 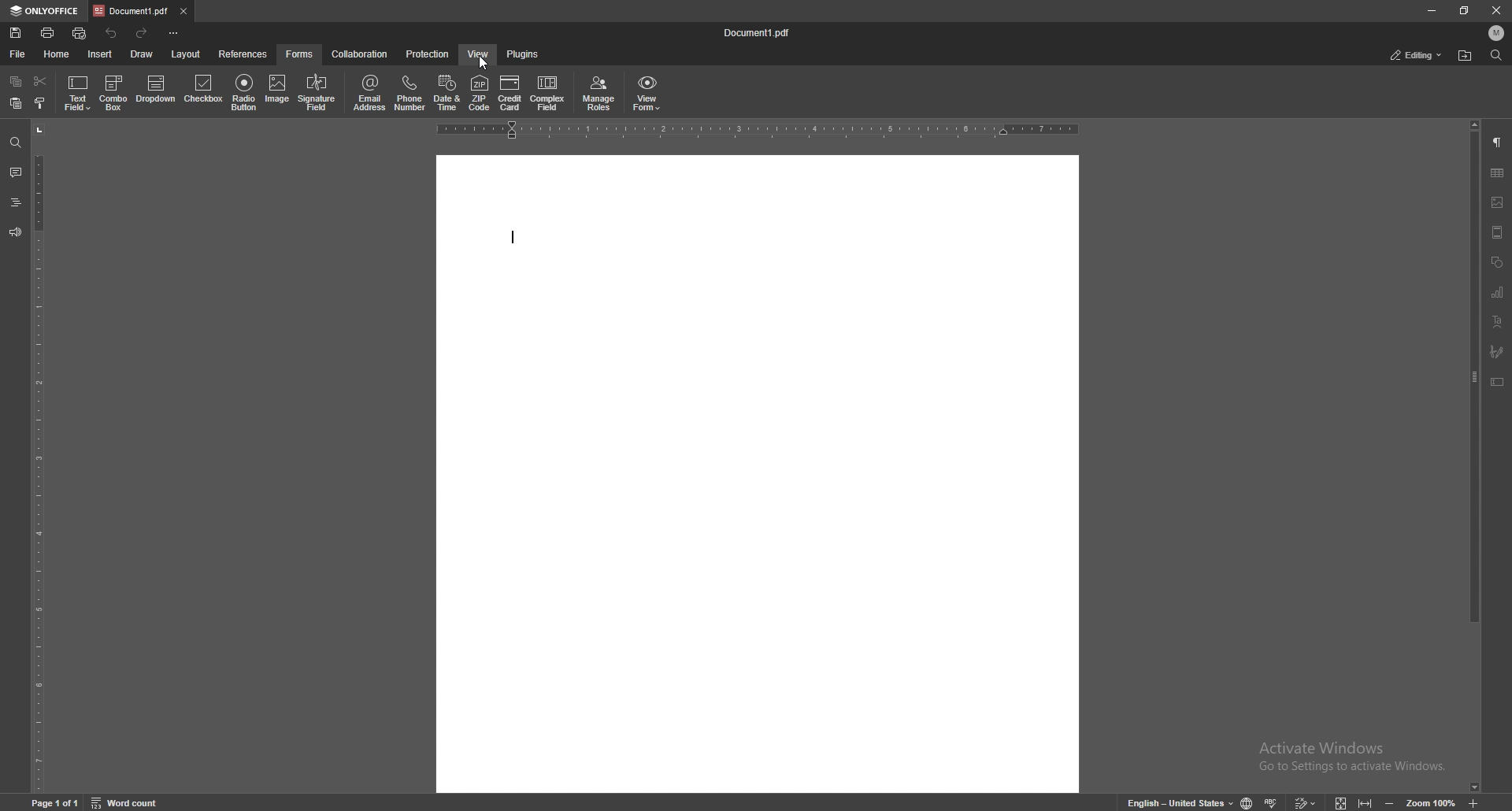 I want to click on find, so click(x=16, y=143).